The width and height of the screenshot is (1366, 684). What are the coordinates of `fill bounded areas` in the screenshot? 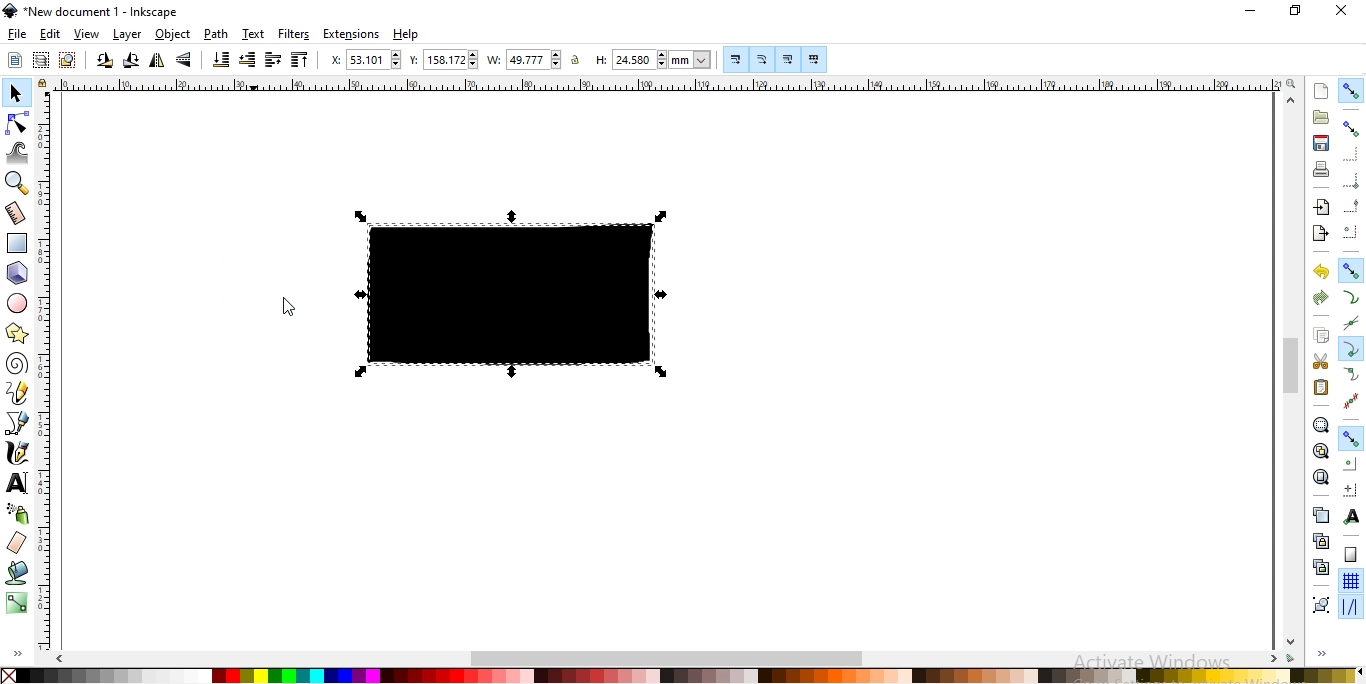 It's located at (21, 572).